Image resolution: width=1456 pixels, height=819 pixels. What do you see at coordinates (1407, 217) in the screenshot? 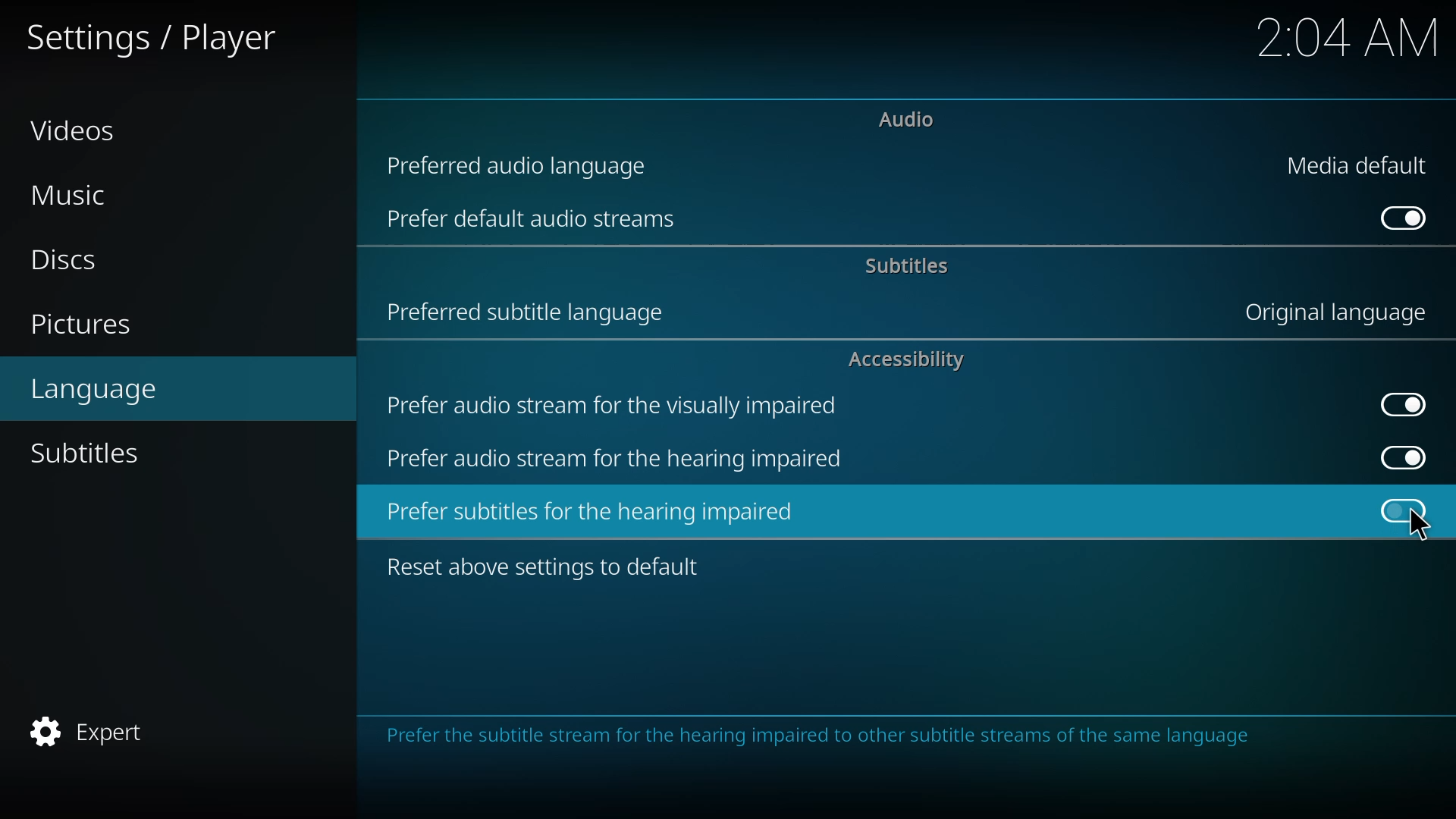
I see `enabled` at bounding box center [1407, 217].